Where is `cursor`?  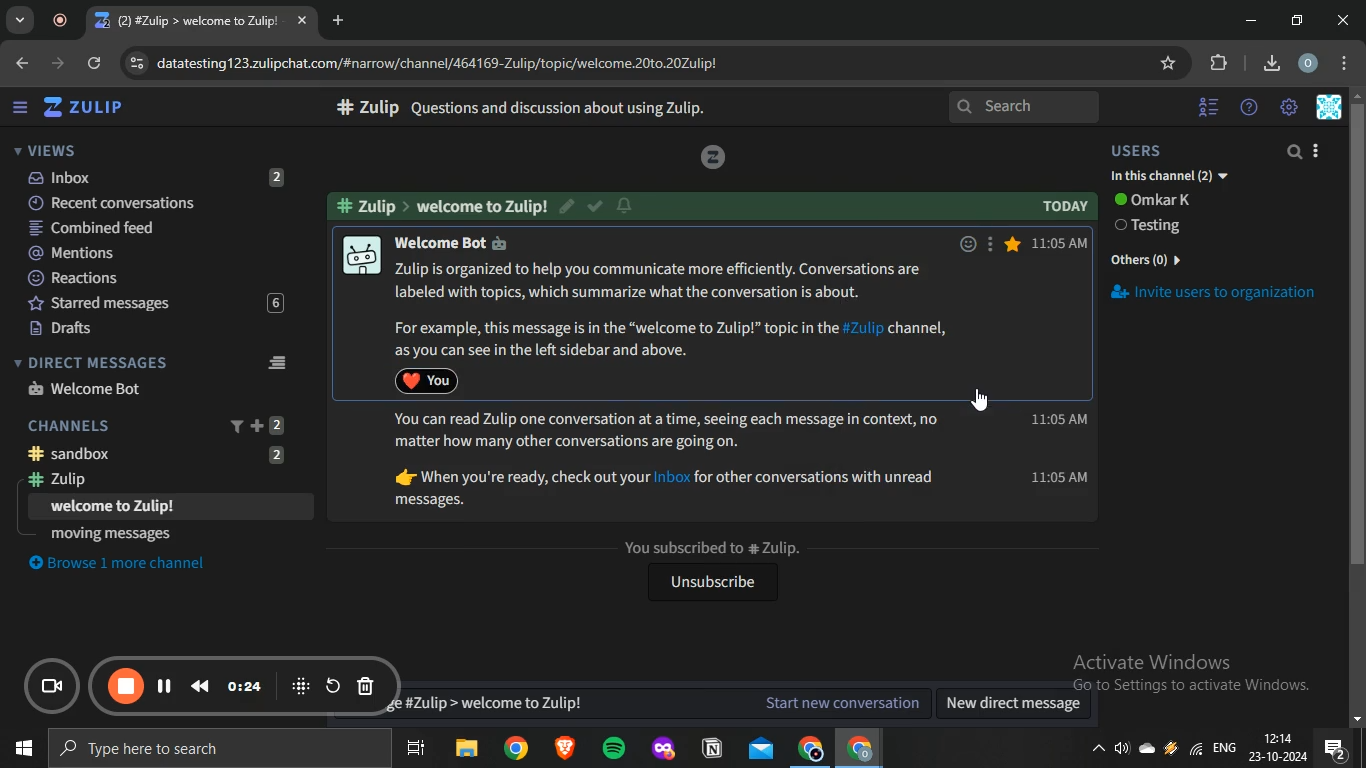 cursor is located at coordinates (984, 401).